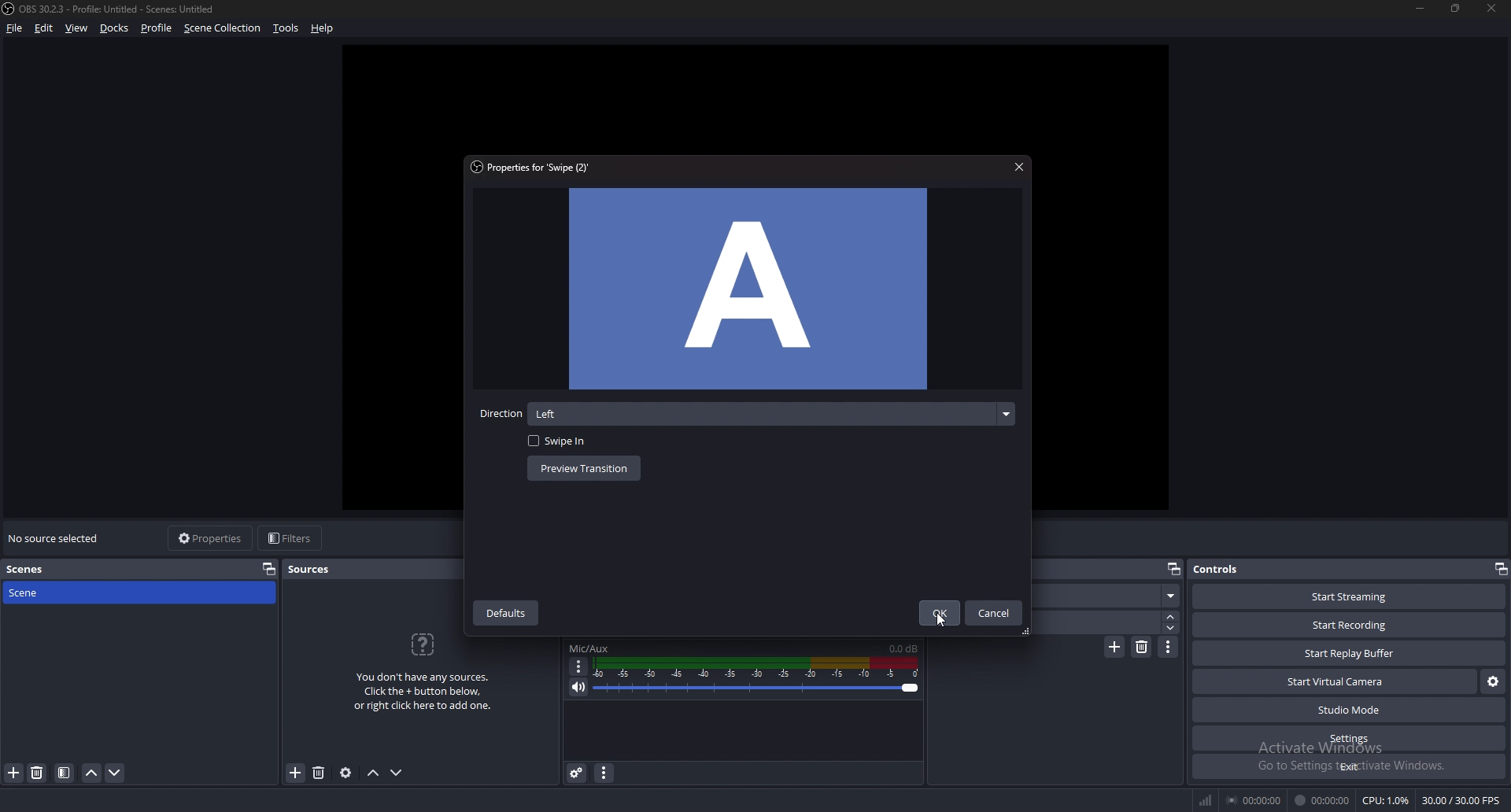  What do you see at coordinates (1018, 167) in the screenshot?
I see `close` at bounding box center [1018, 167].